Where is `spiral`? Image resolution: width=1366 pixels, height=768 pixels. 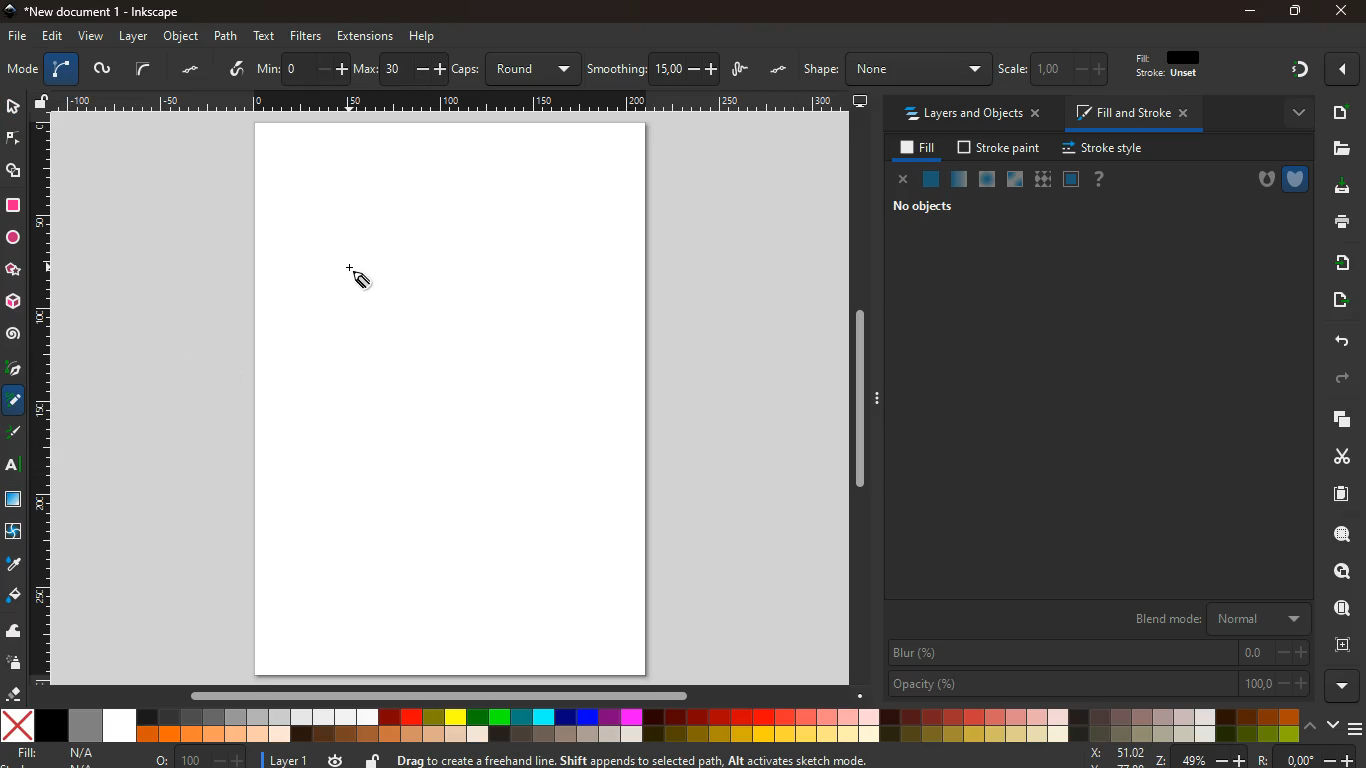
spiral is located at coordinates (13, 334).